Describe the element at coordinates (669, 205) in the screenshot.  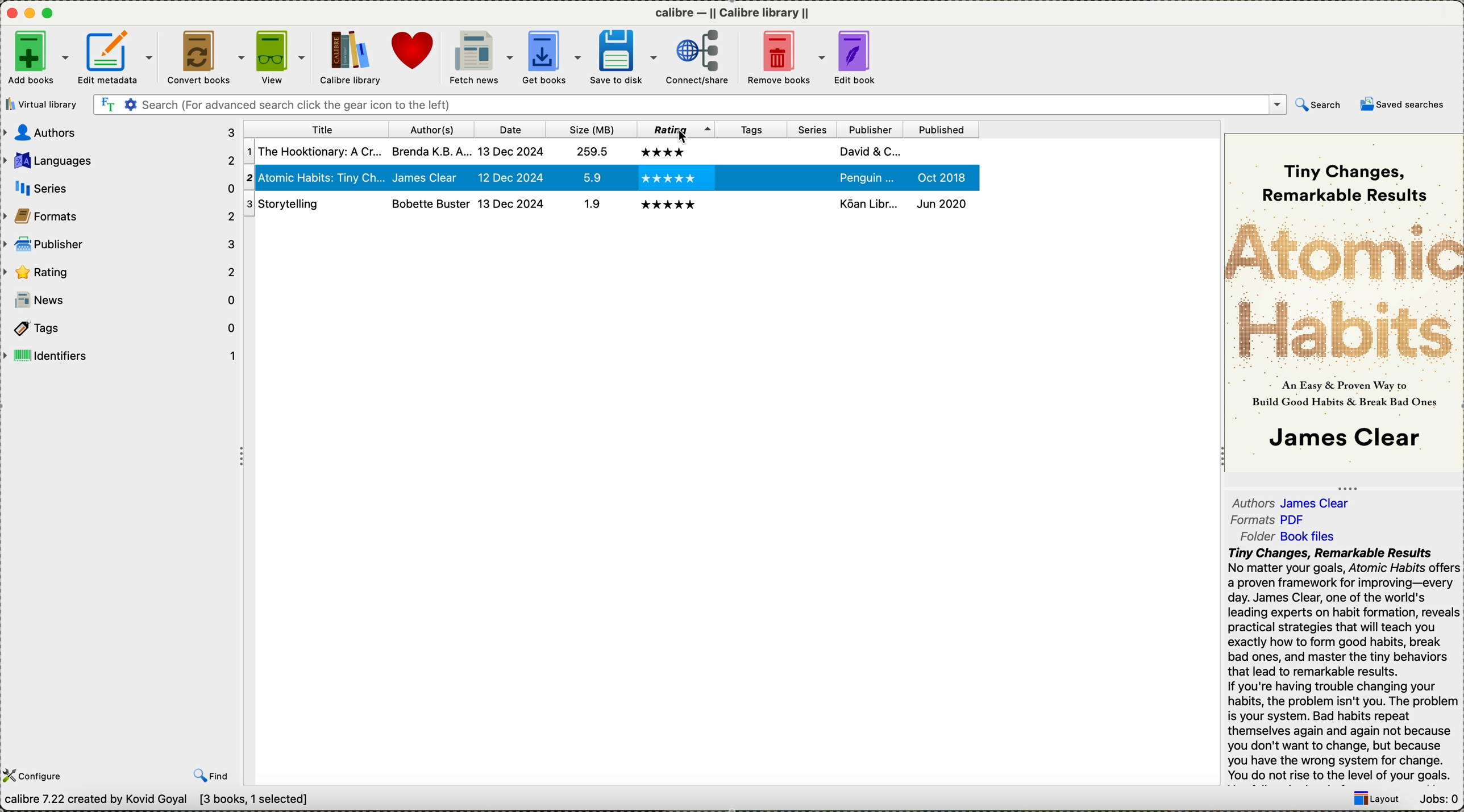
I see `5 star` at that location.